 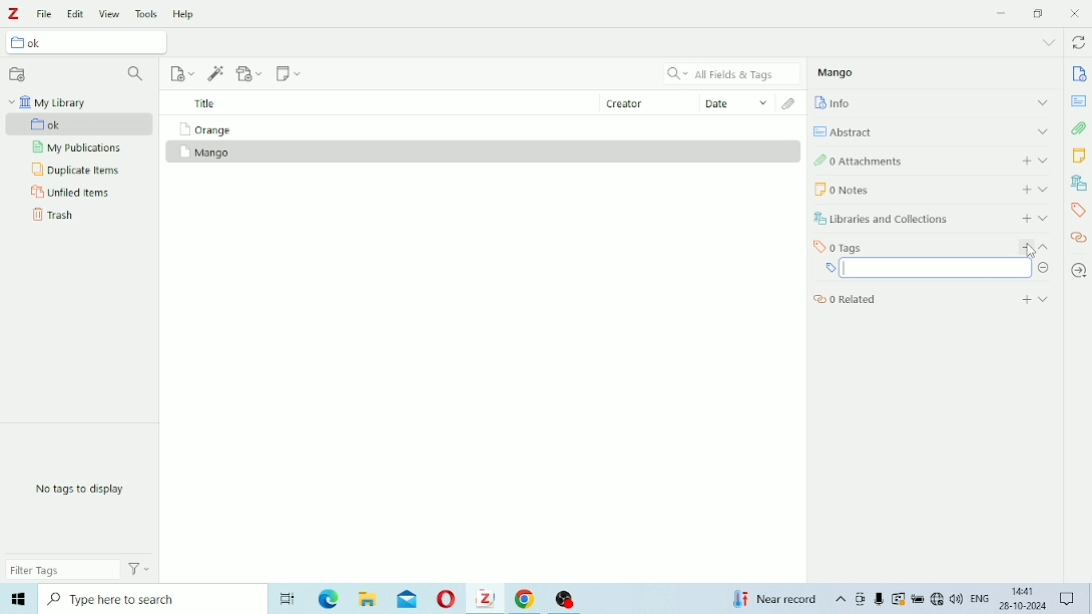 I want to click on File Explorer, so click(x=367, y=600).